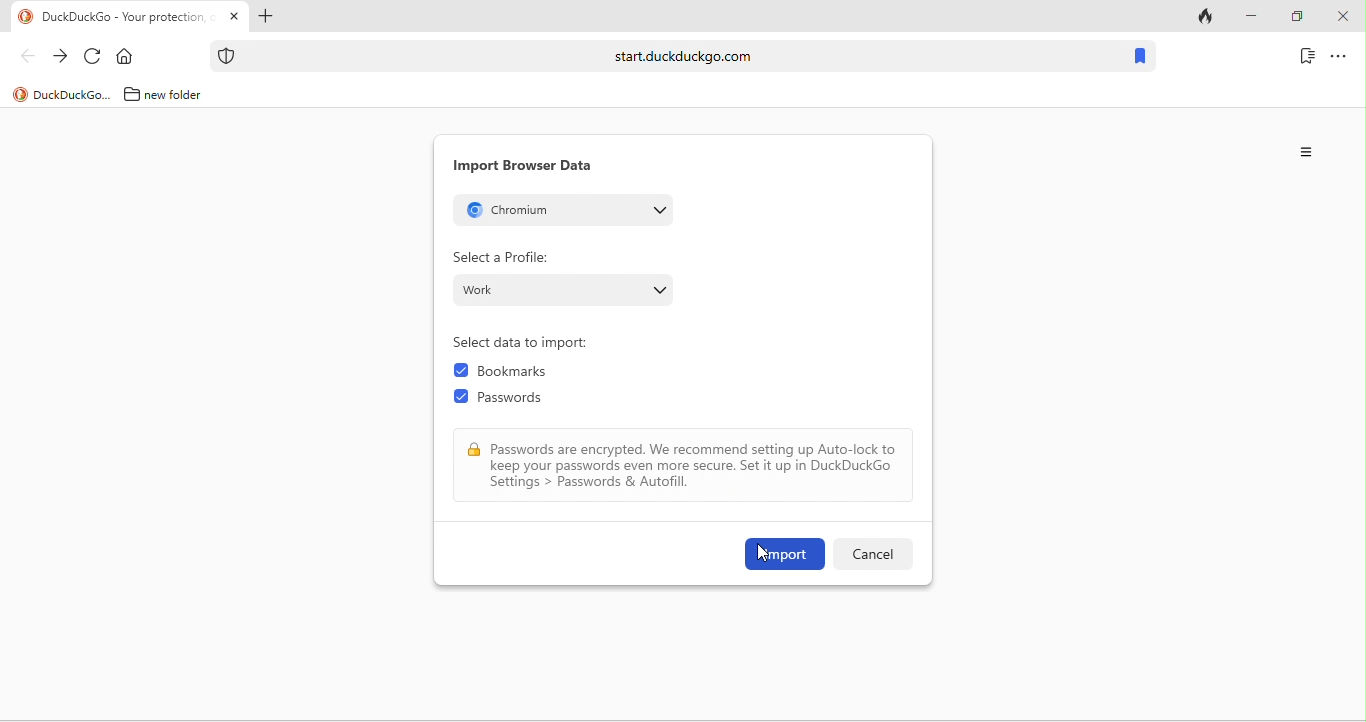  I want to click on option, so click(1339, 55).